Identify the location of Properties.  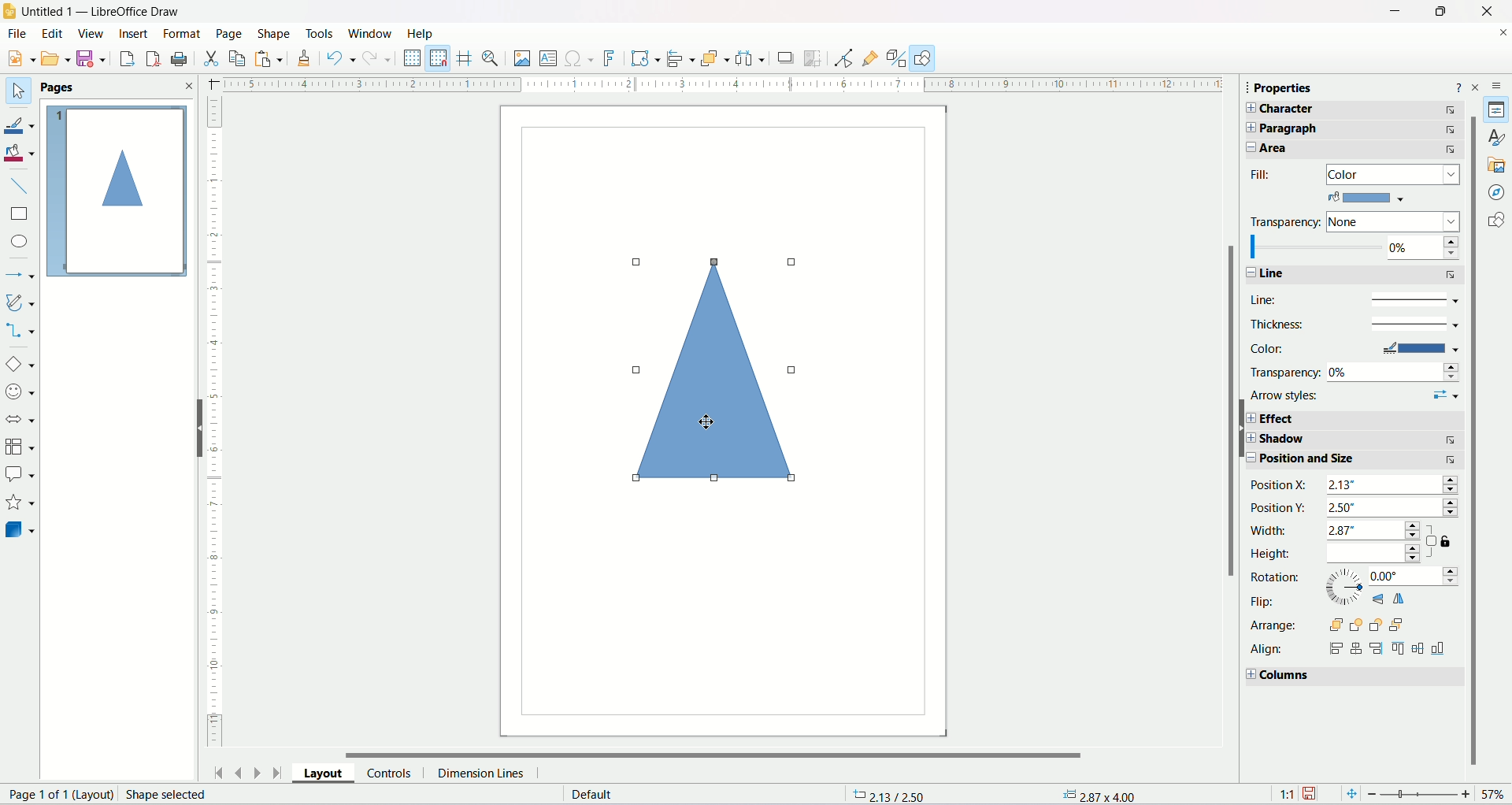
(1499, 110).